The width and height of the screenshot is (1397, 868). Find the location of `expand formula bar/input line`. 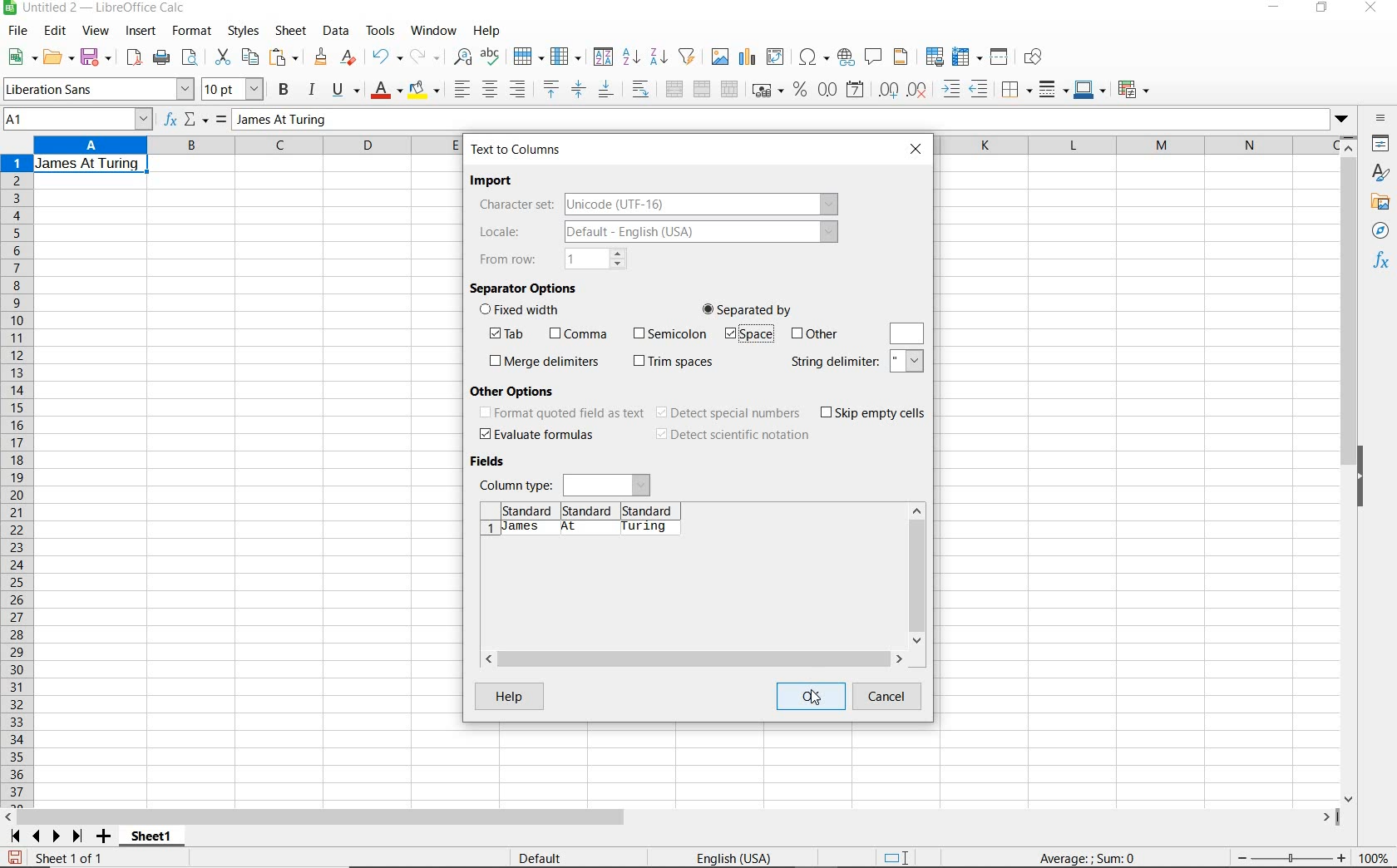

expand formula bar/input line is located at coordinates (776, 121).